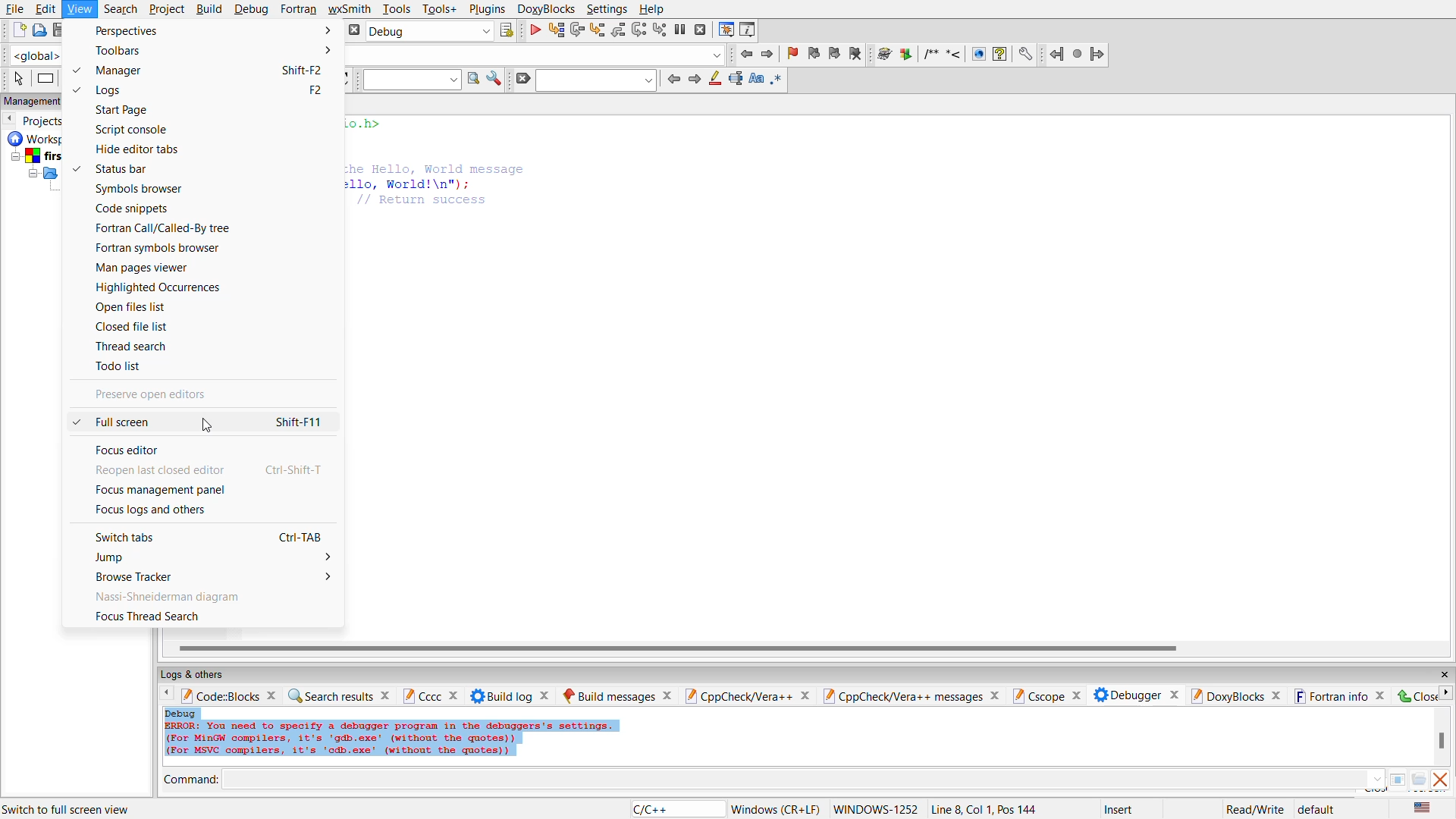 This screenshot has height=819, width=1456. What do you see at coordinates (218, 535) in the screenshot?
I see `switch tabs` at bounding box center [218, 535].